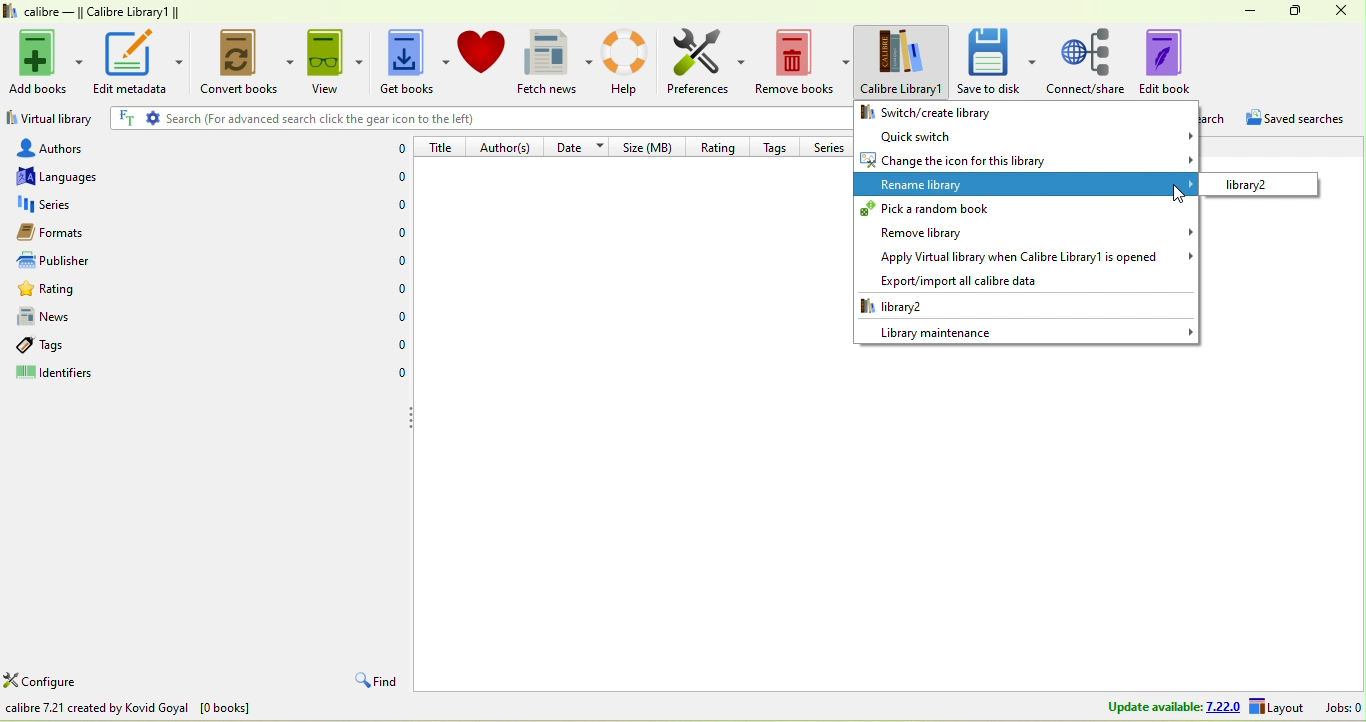 The height and width of the screenshot is (722, 1366). I want to click on edit book, so click(1179, 60).